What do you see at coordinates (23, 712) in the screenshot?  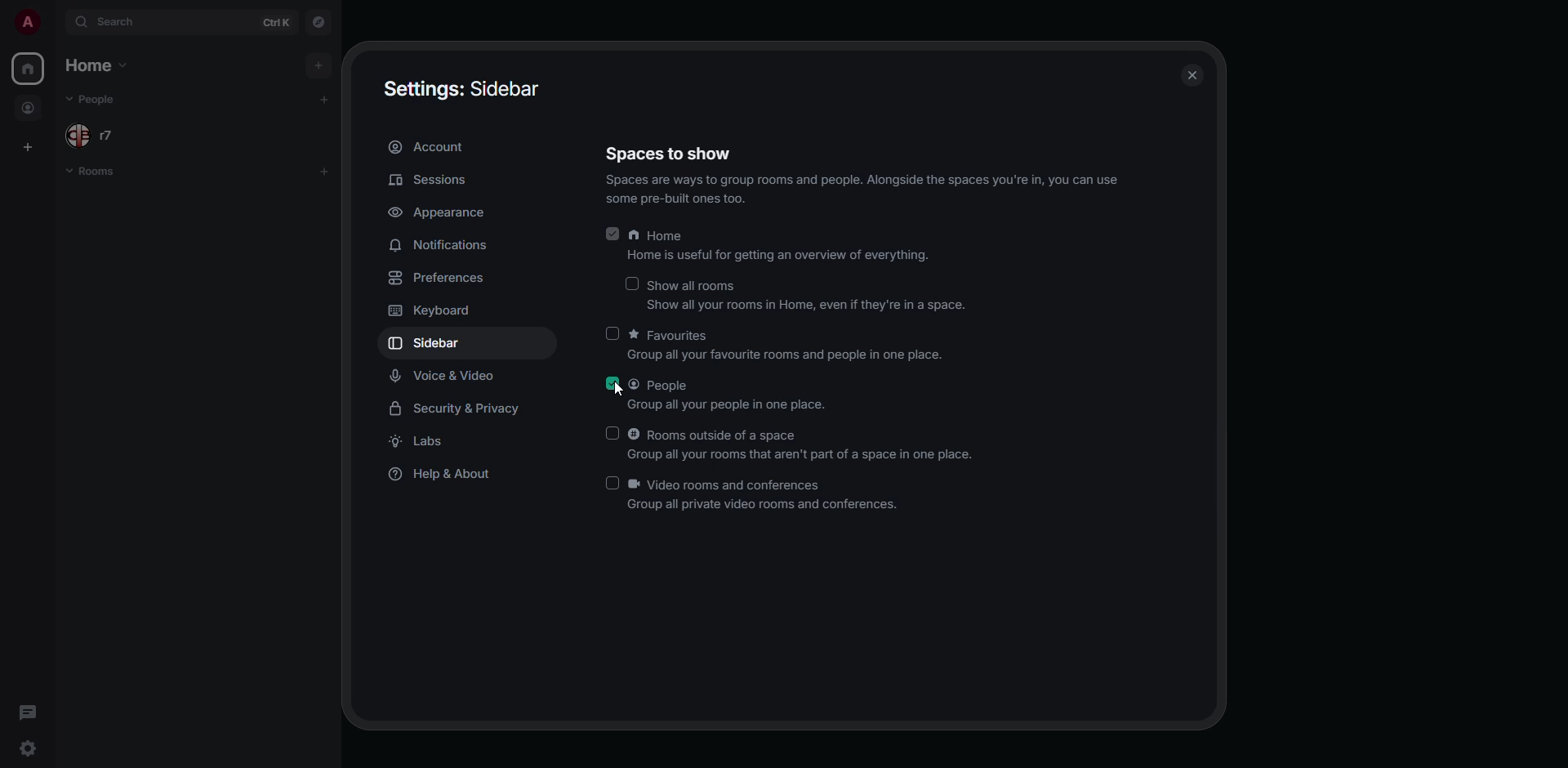 I see `threads` at bounding box center [23, 712].